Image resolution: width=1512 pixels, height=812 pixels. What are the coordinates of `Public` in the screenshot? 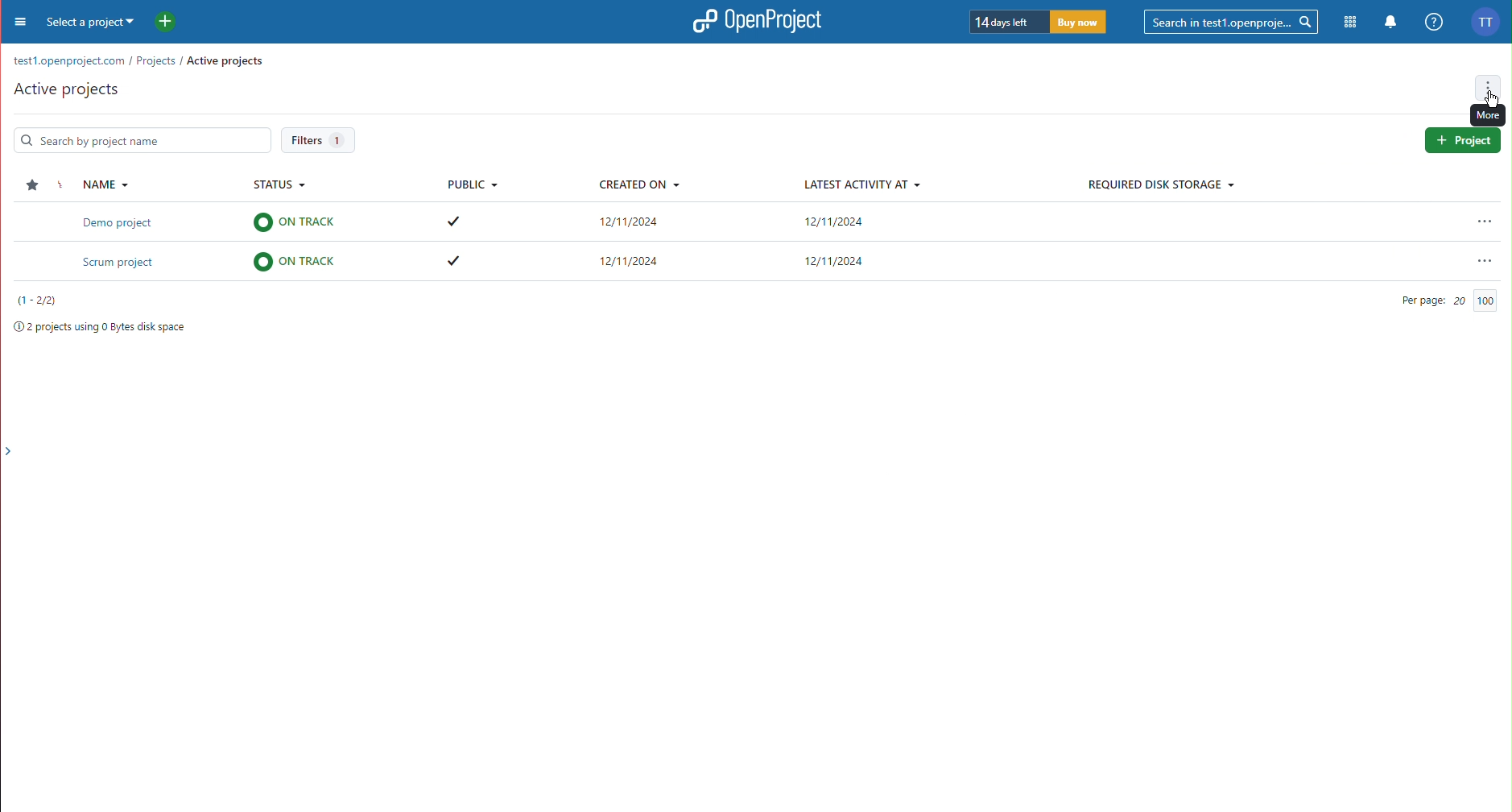 It's located at (466, 185).